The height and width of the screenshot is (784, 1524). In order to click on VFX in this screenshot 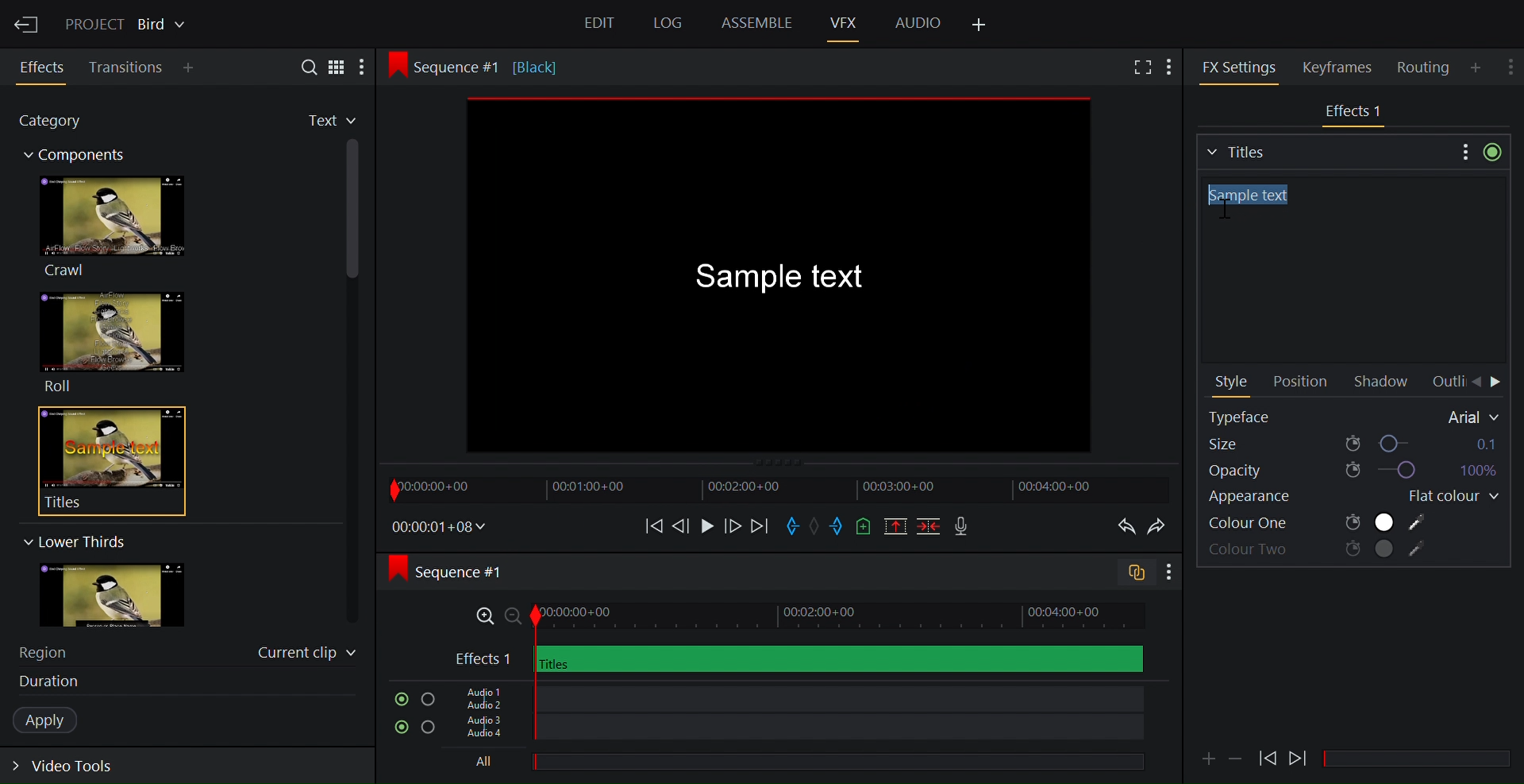, I will do `click(845, 22)`.